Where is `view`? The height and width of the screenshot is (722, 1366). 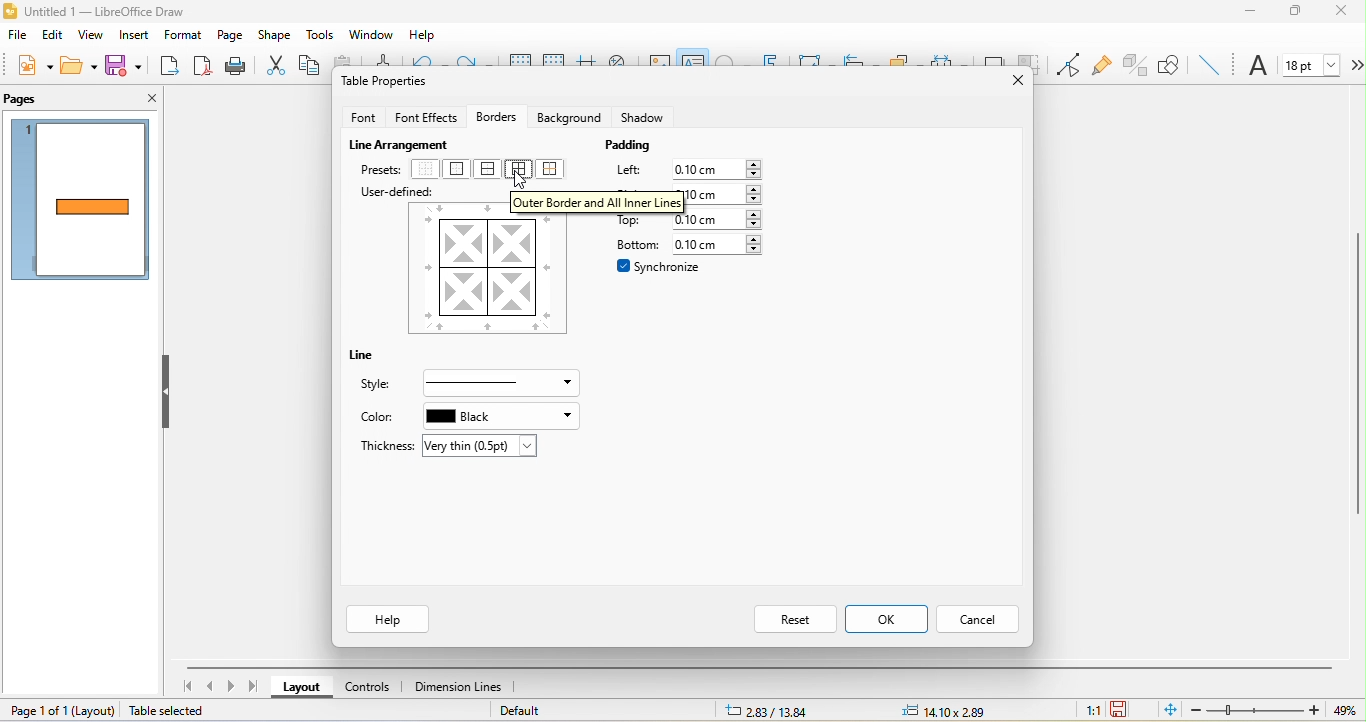 view is located at coordinates (89, 37).